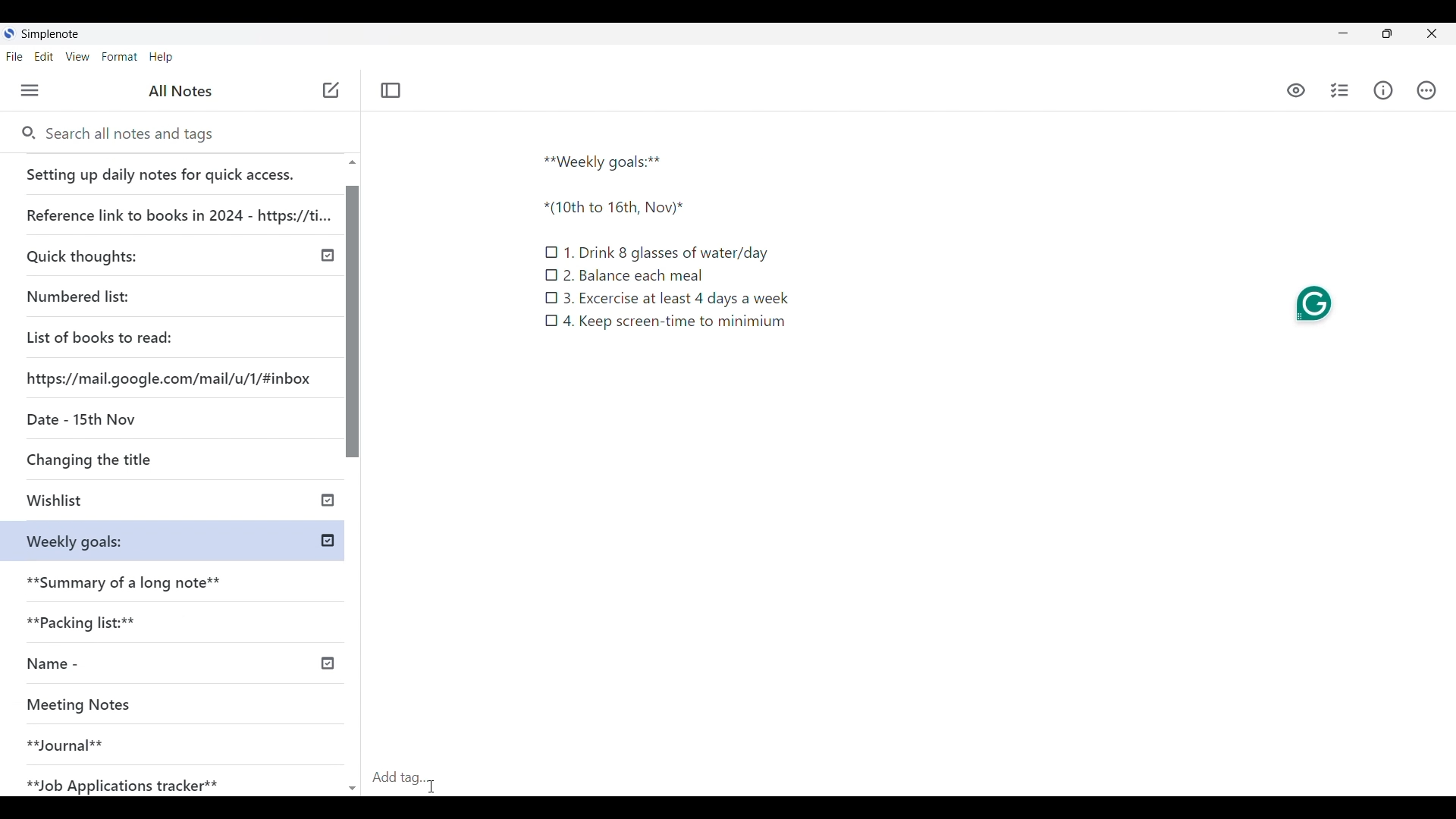 The image size is (1456, 819). What do you see at coordinates (121, 293) in the screenshot?
I see `Numbered list` at bounding box center [121, 293].